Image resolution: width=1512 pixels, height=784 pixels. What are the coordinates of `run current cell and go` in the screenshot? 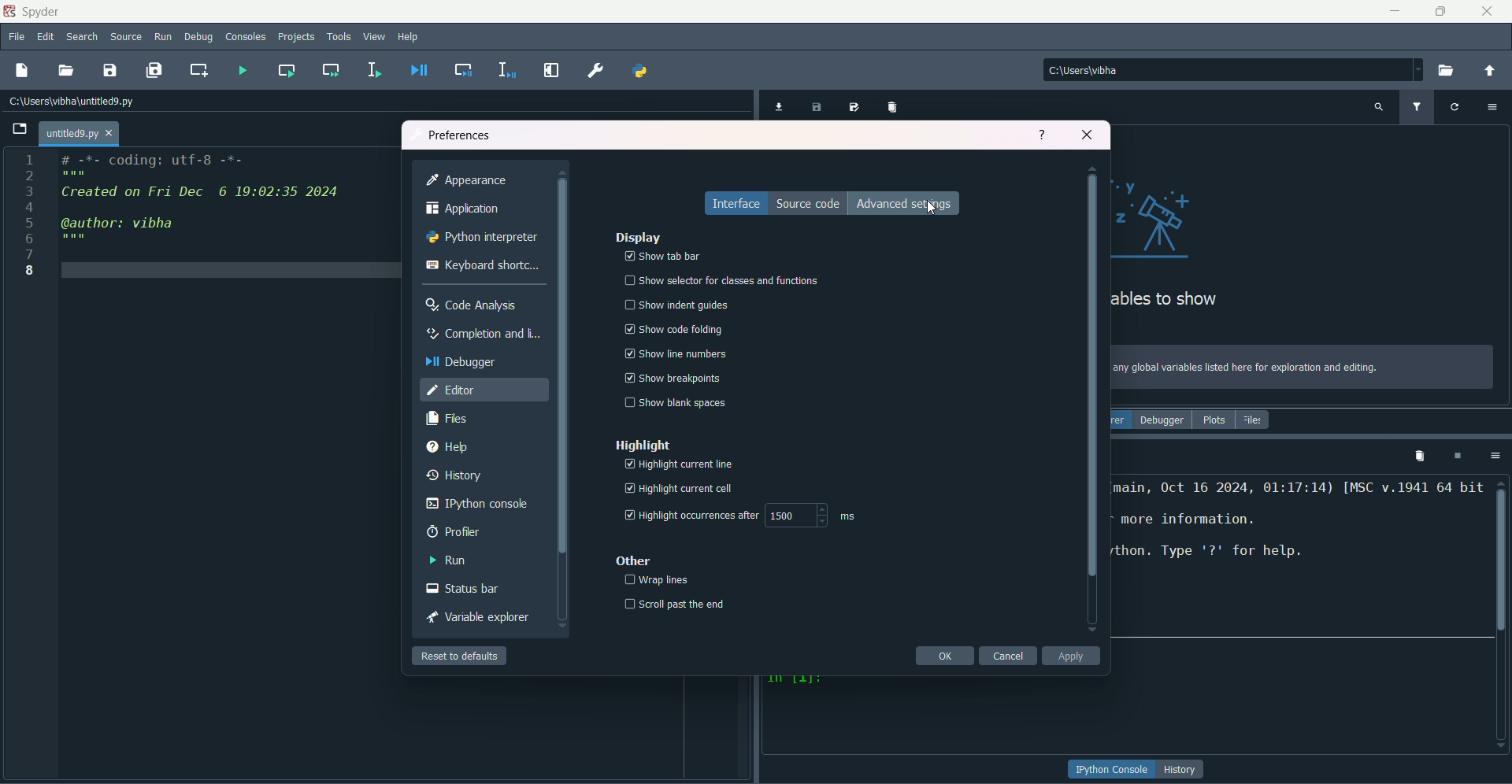 It's located at (330, 69).